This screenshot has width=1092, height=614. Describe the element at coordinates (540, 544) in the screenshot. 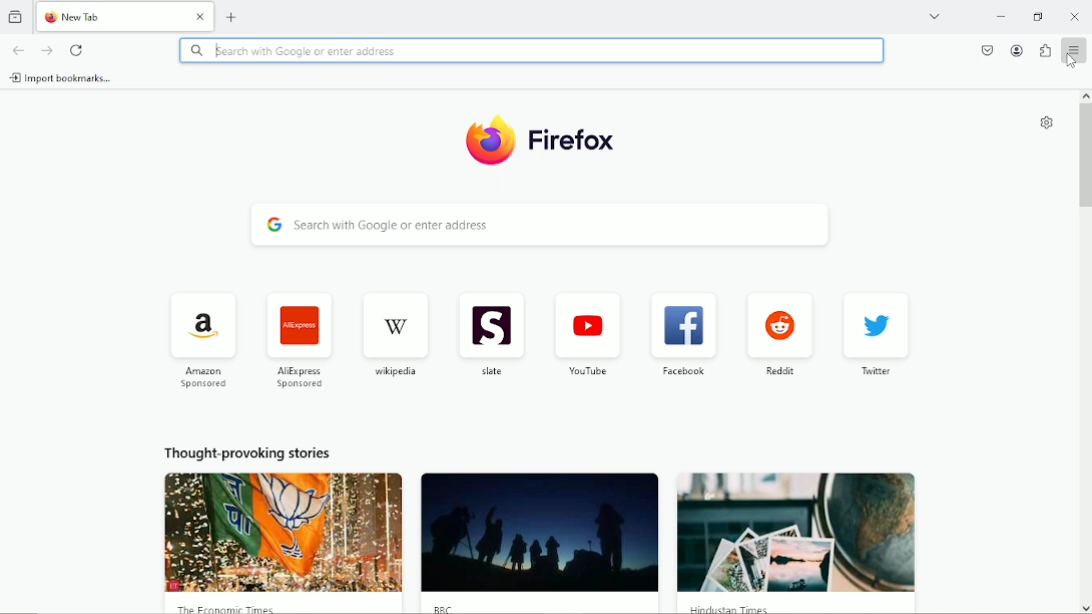

I see `BBC` at that location.